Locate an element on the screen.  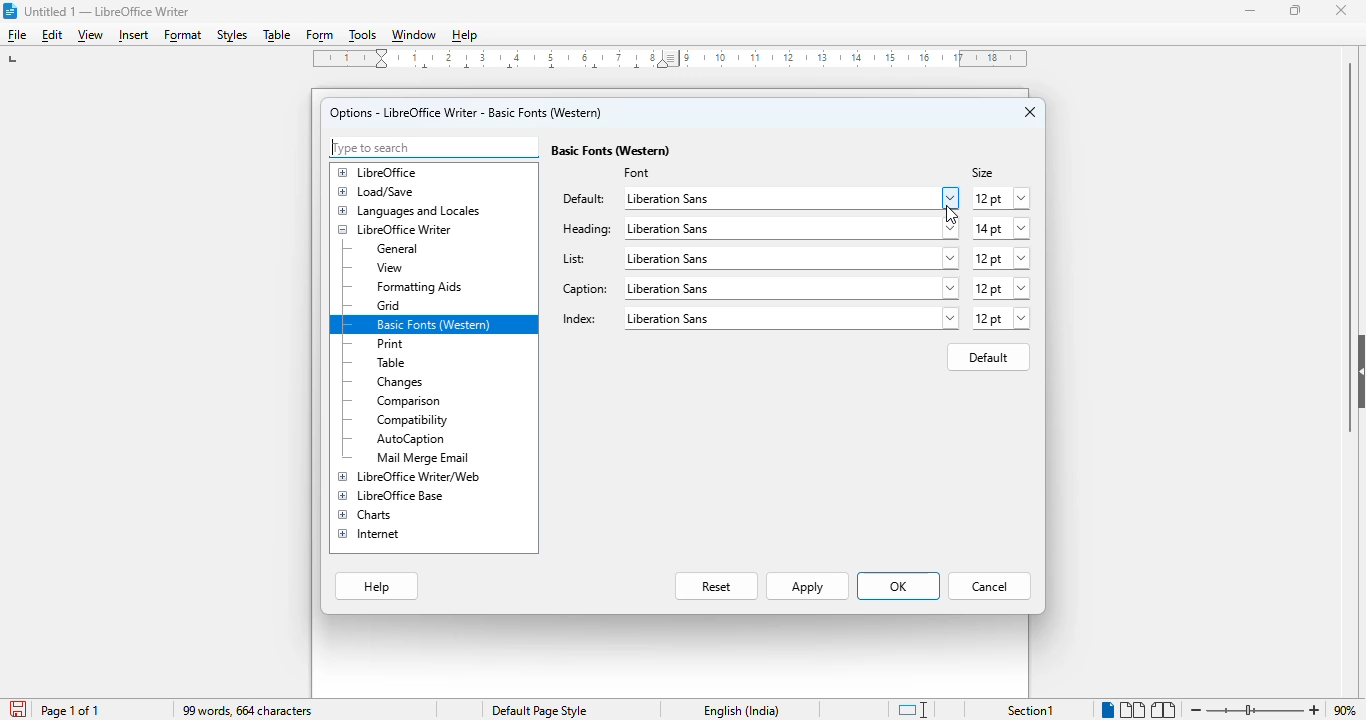
font is located at coordinates (640, 173).